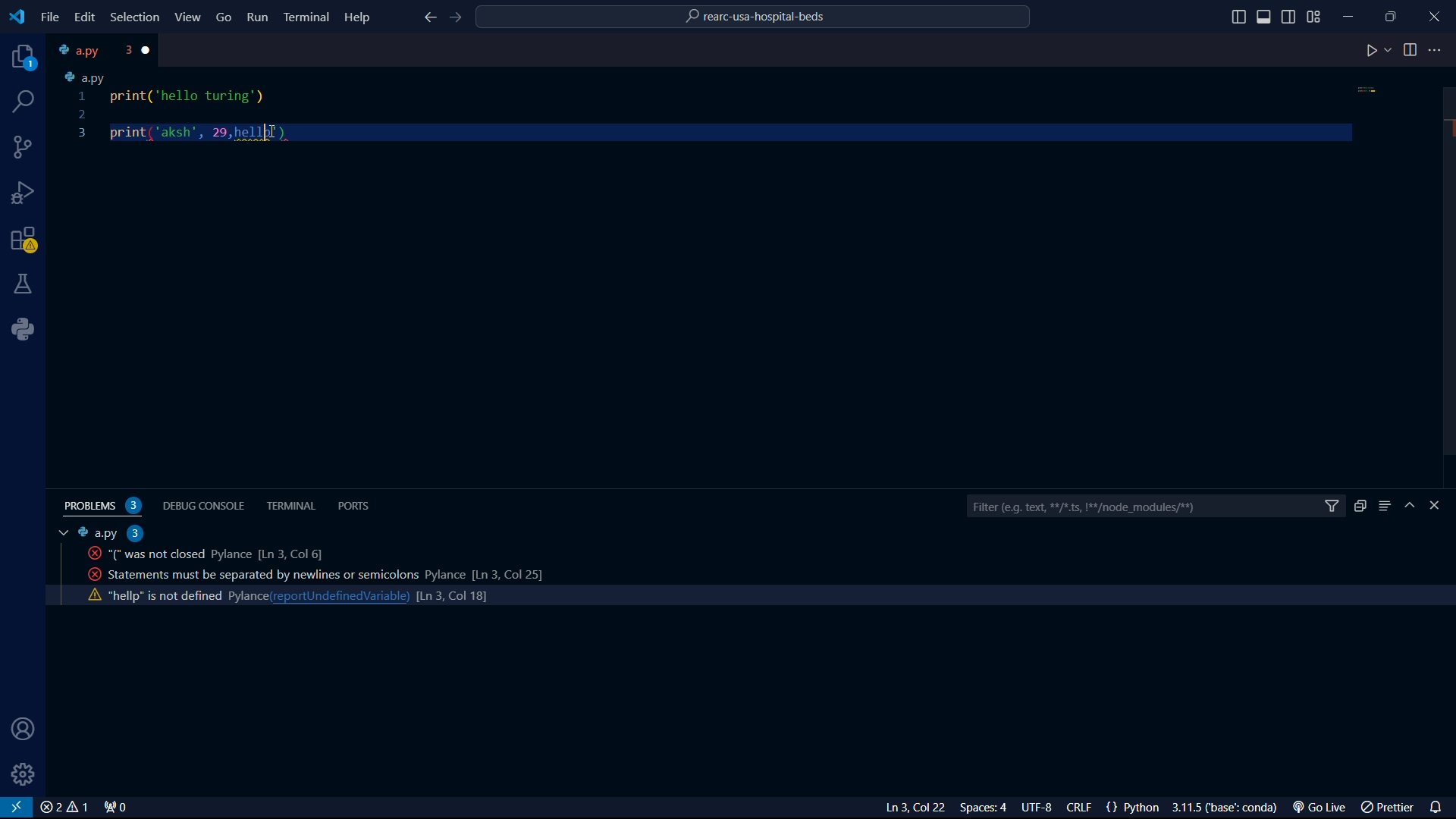  I want to click on problems 2, so click(106, 506).